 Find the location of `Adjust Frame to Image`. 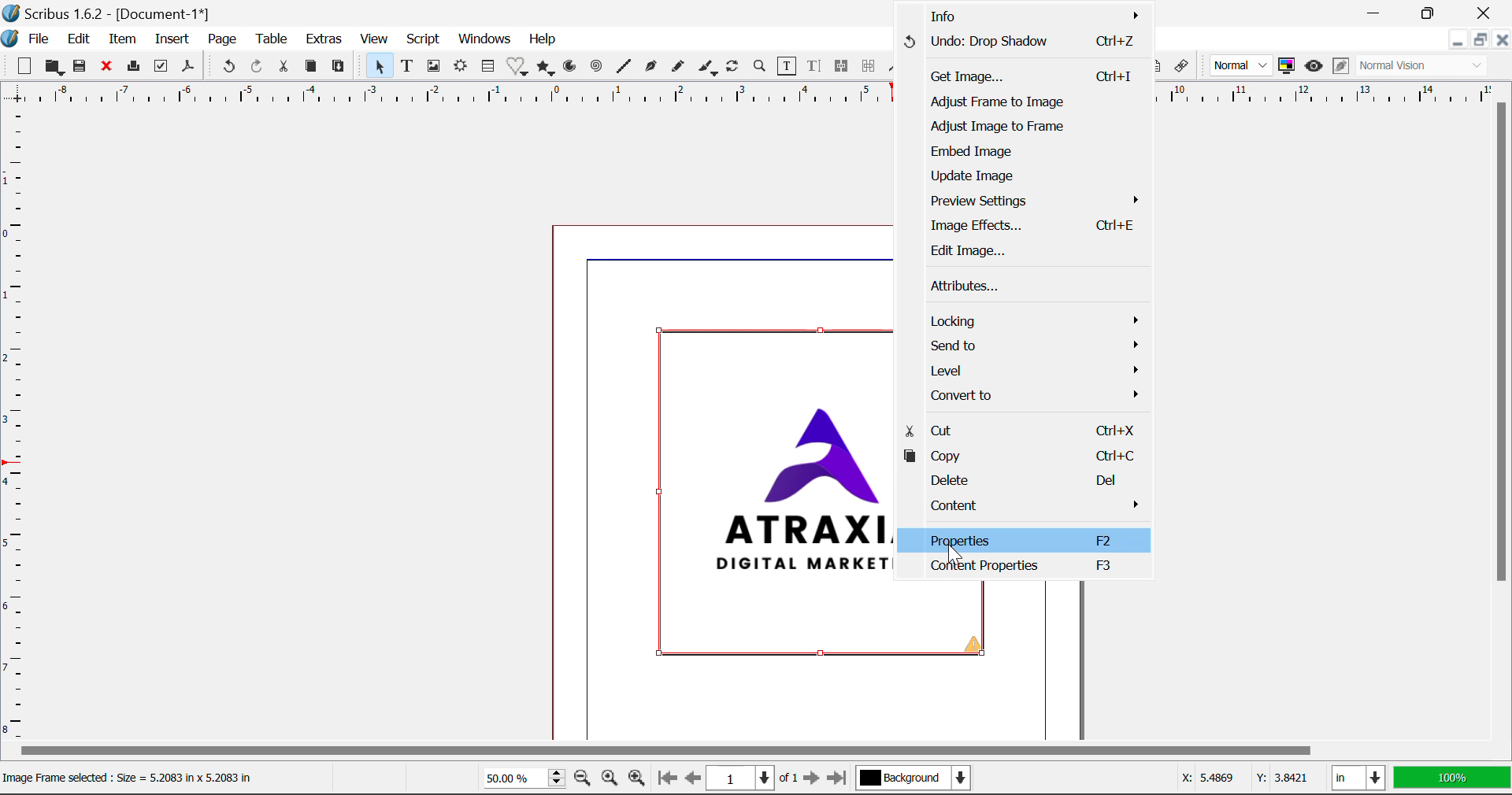

Adjust Frame to Image is located at coordinates (1021, 105).